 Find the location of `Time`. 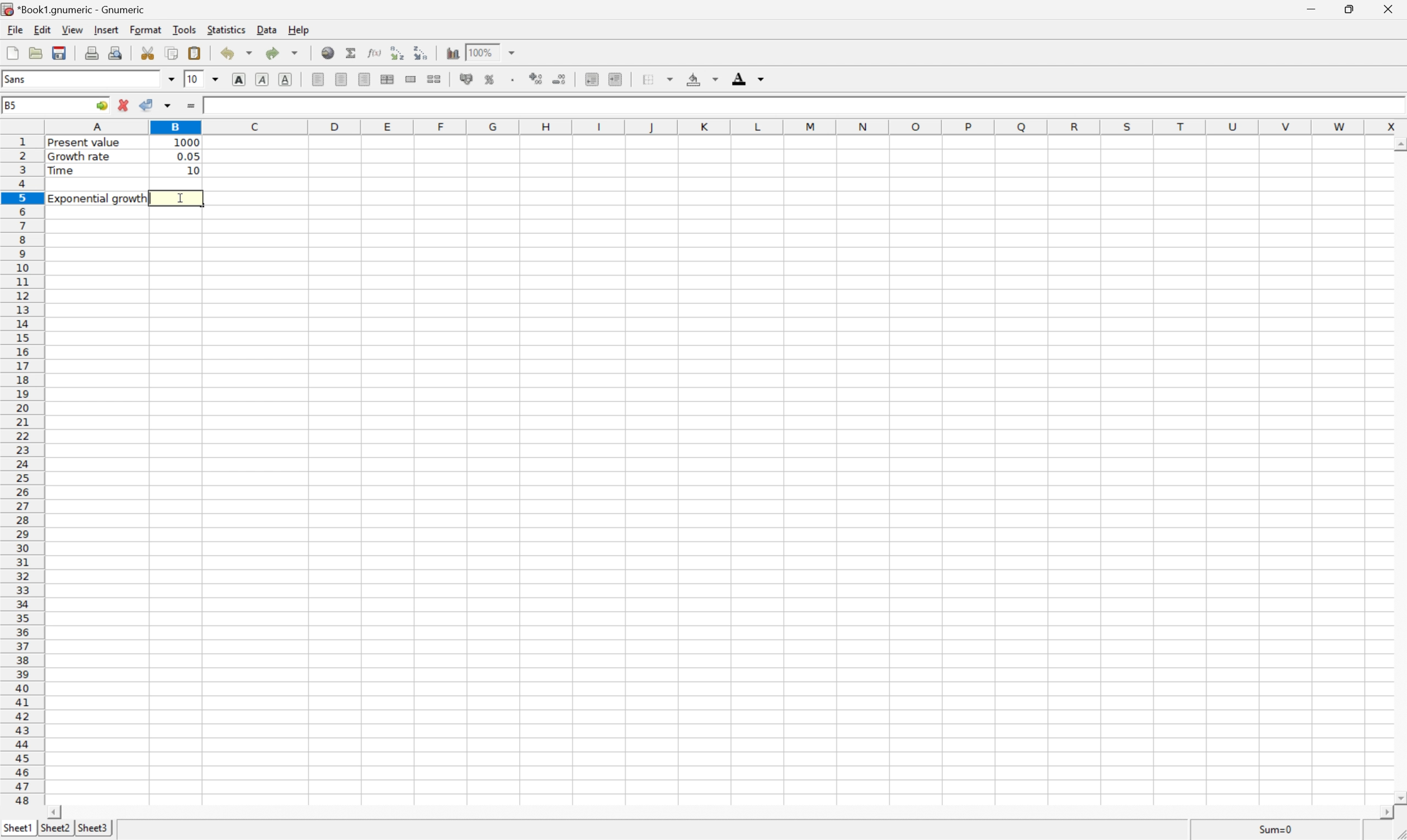

Time is located at coordinates (62, 170).